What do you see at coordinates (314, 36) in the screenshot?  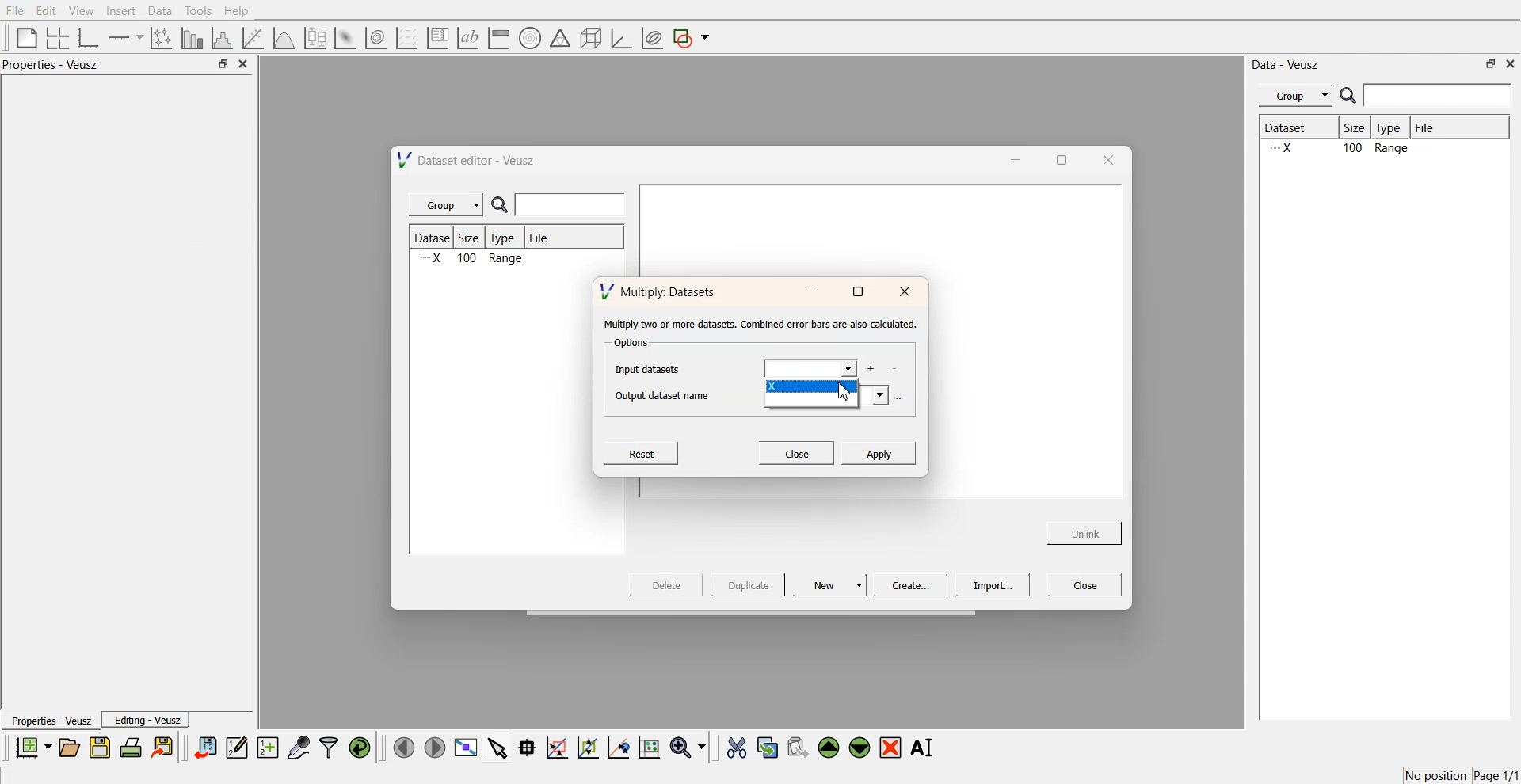 I see `plot a boxplot` at bounding box center [314, 36].